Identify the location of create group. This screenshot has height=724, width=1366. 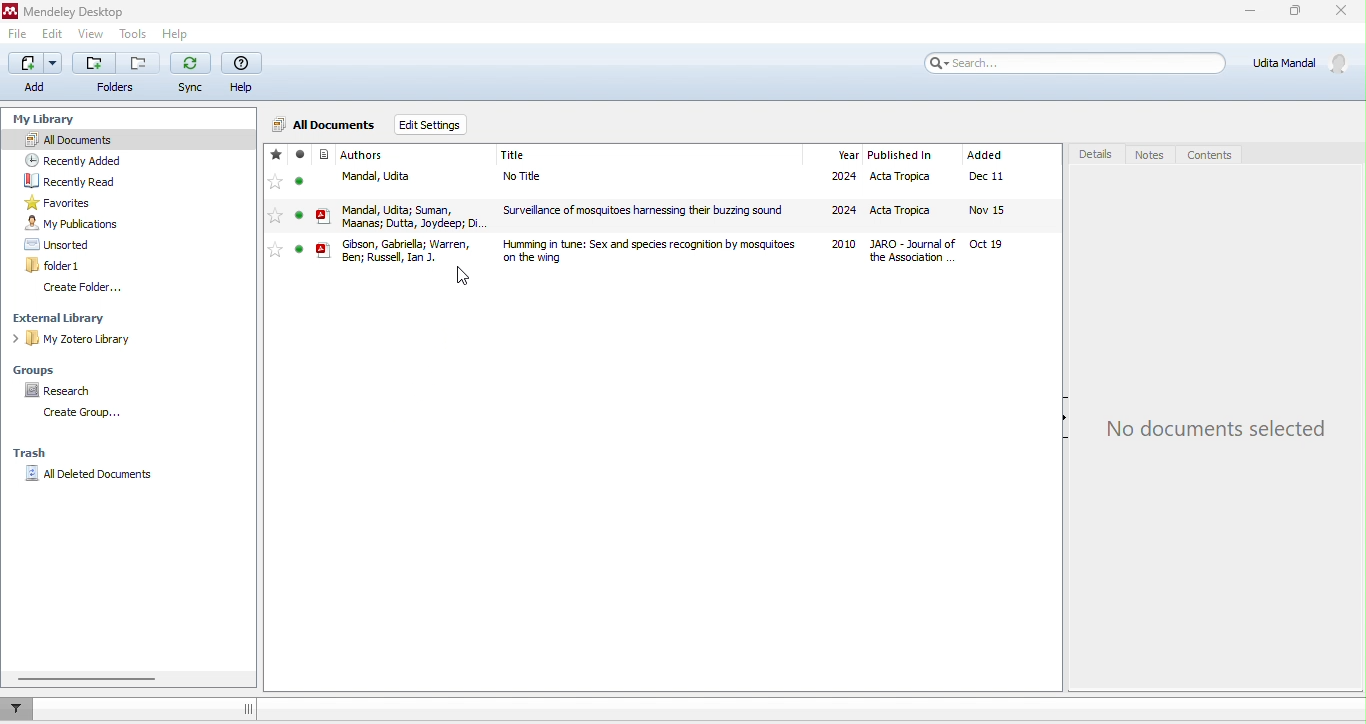
(78, 413).